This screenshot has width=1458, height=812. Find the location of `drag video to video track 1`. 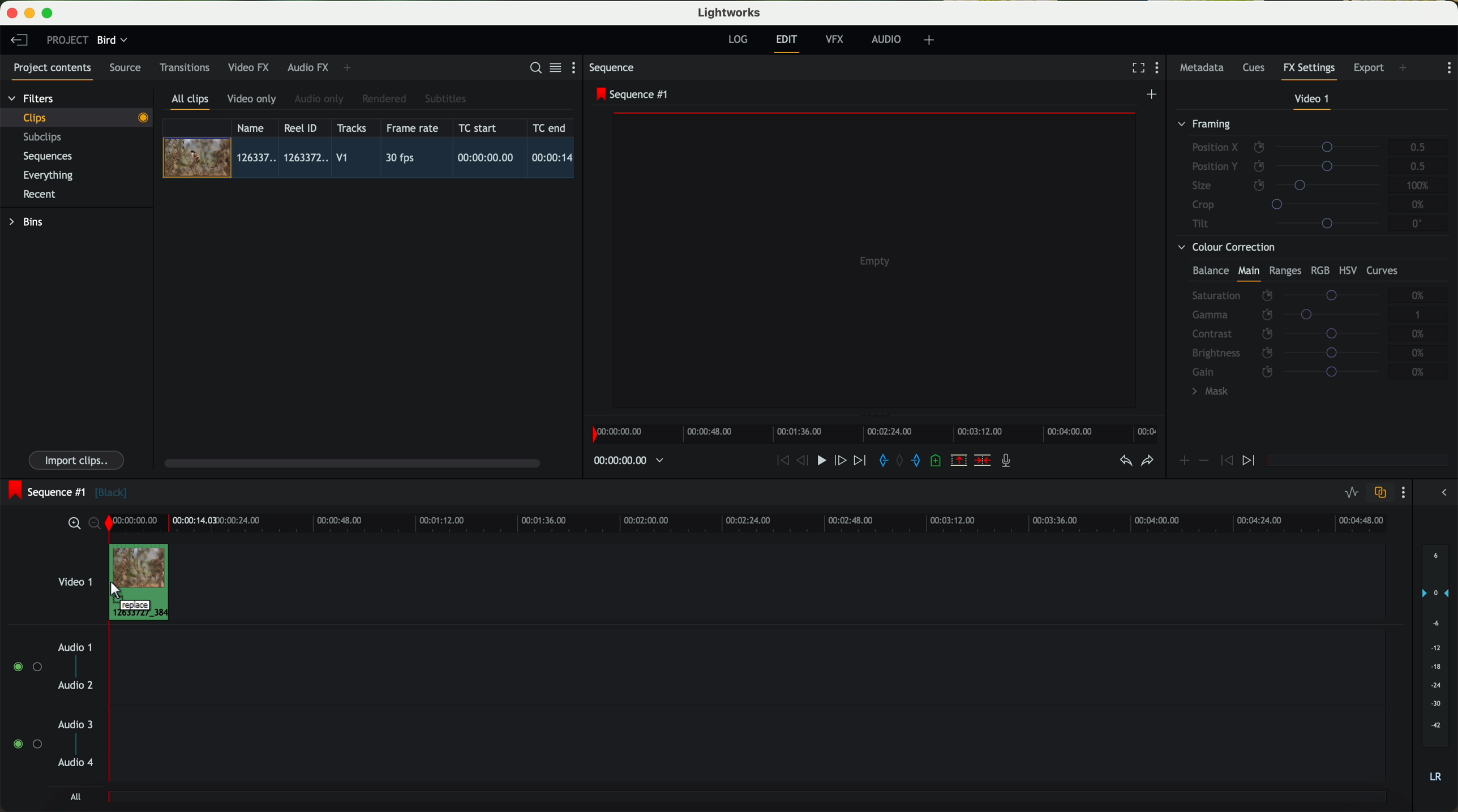

drag video to video track 1 is located at coordinates (140, 582).